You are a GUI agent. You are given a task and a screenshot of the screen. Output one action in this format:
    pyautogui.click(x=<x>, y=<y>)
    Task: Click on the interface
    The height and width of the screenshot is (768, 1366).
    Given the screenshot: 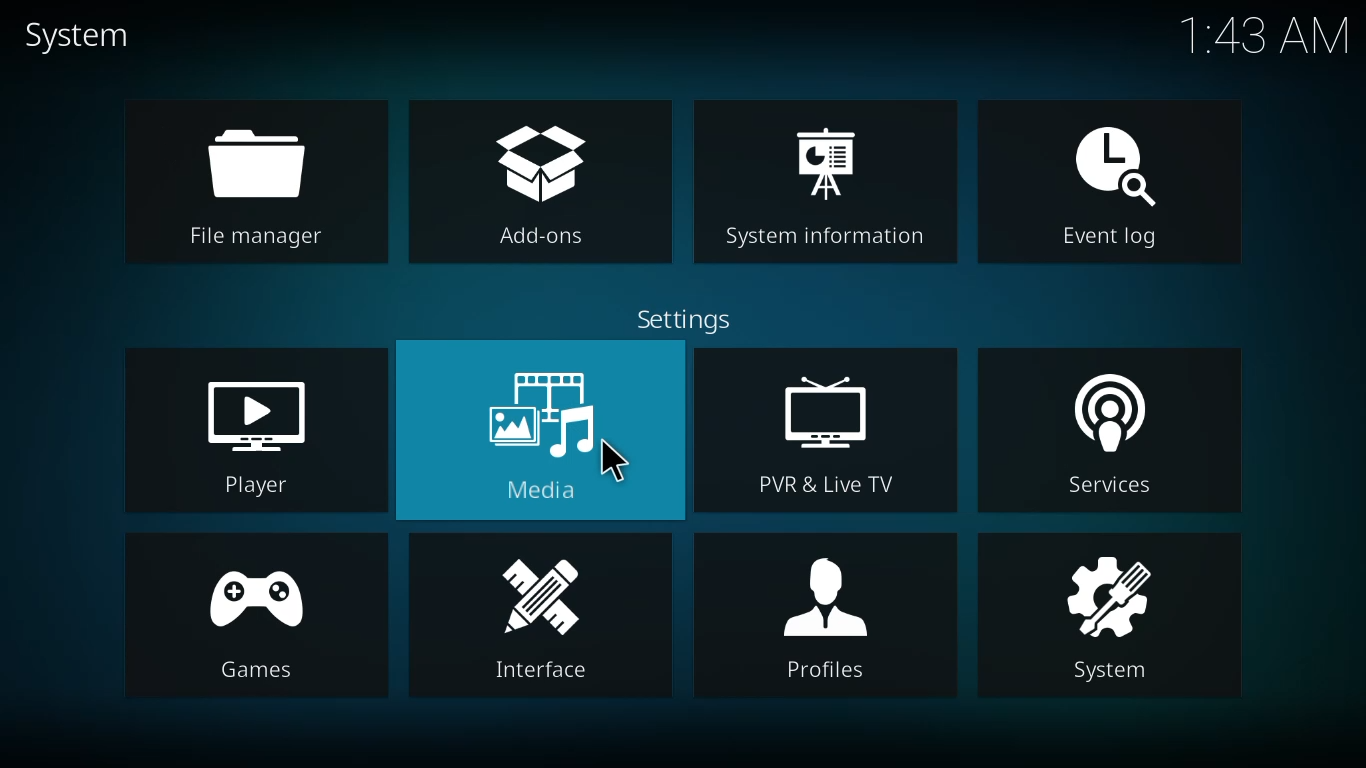 What is the action you would take?
    pyautogui.click(x=538, y=617)
    